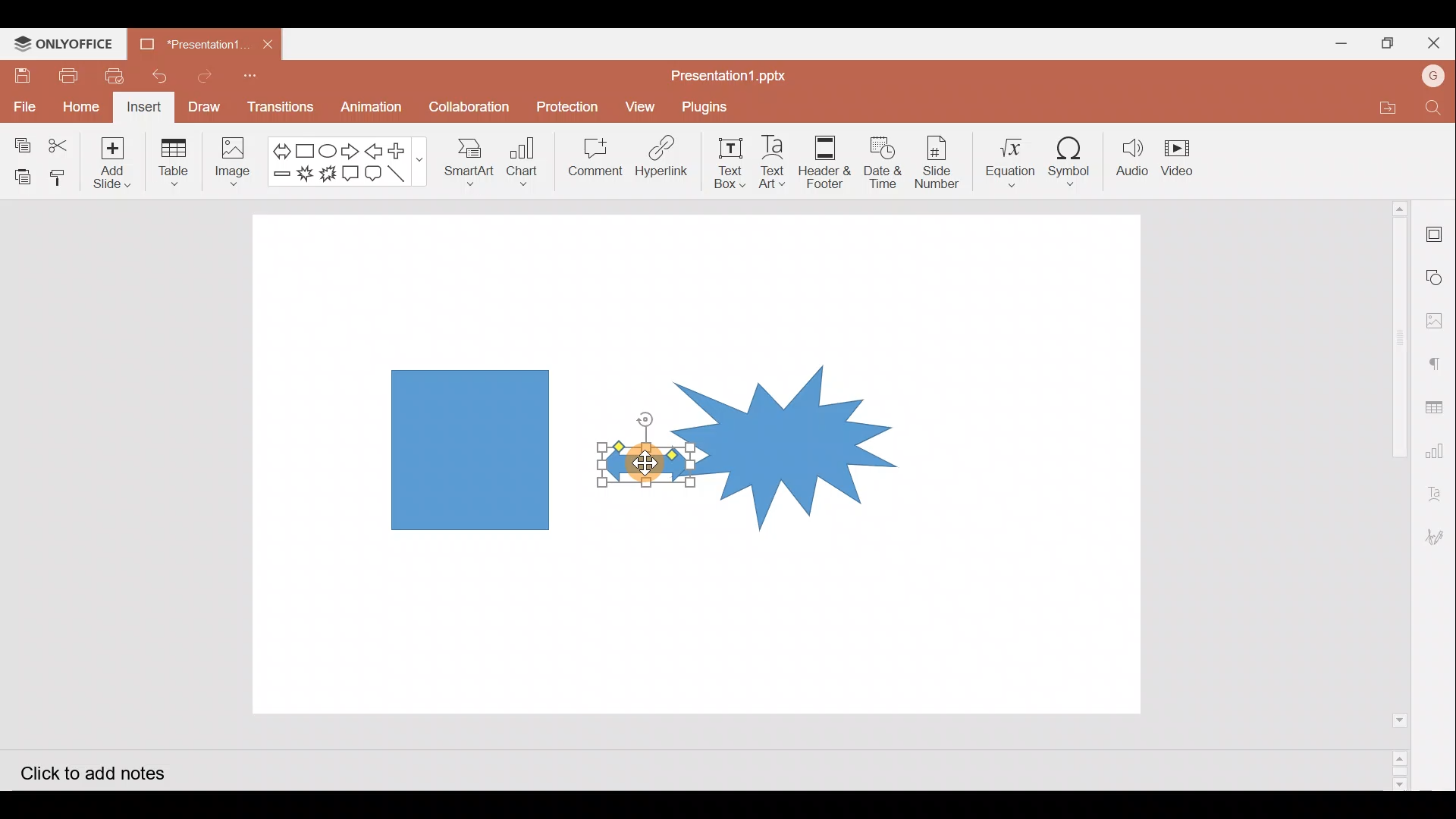  What do you see at coordinates (327, 173) in the screenshot?
I see `Explosion 2` at bounding box center [327, 173].